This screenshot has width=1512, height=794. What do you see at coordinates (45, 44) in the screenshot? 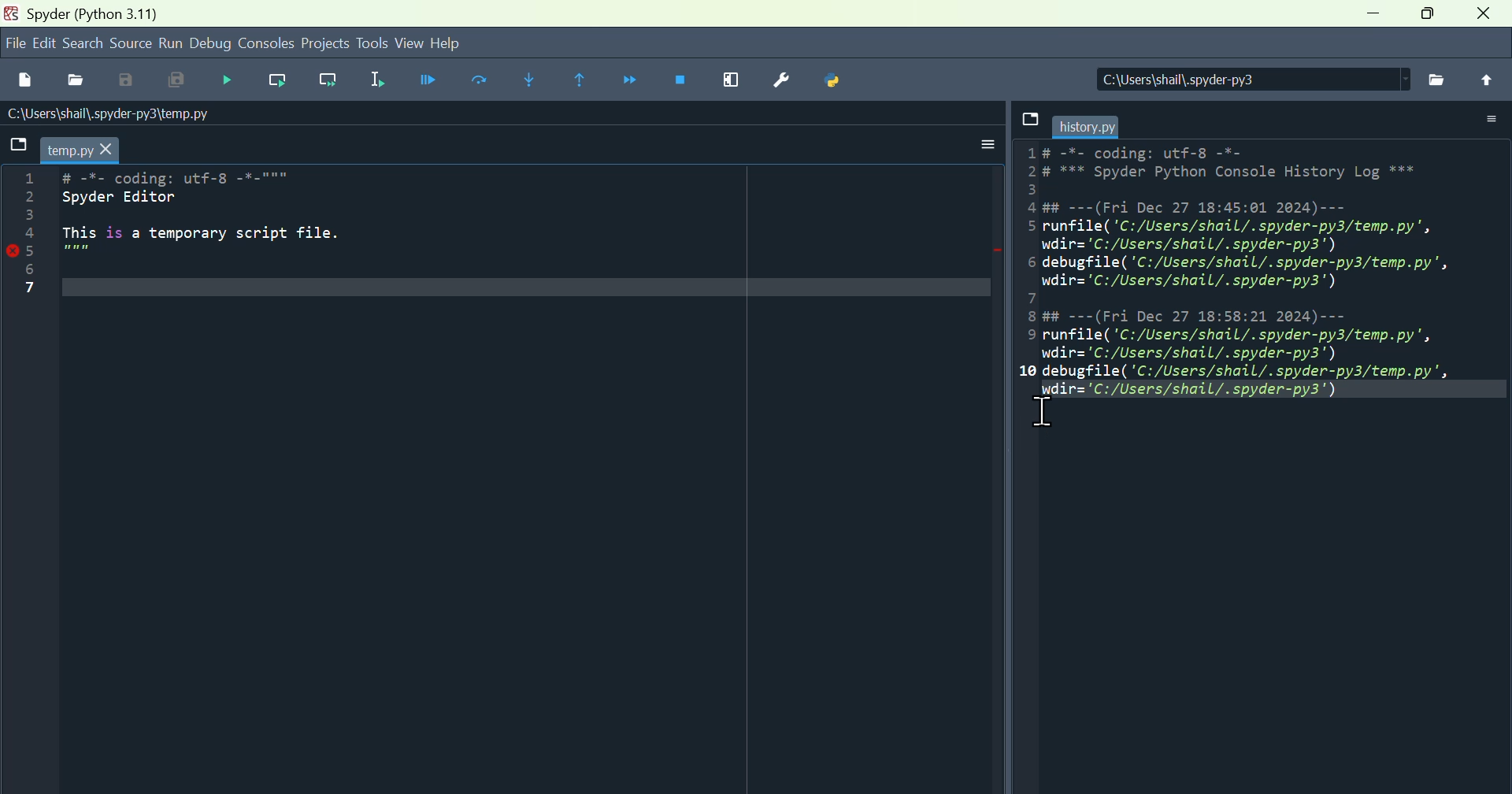
I see `Edit` at bounding box center [45, 44].